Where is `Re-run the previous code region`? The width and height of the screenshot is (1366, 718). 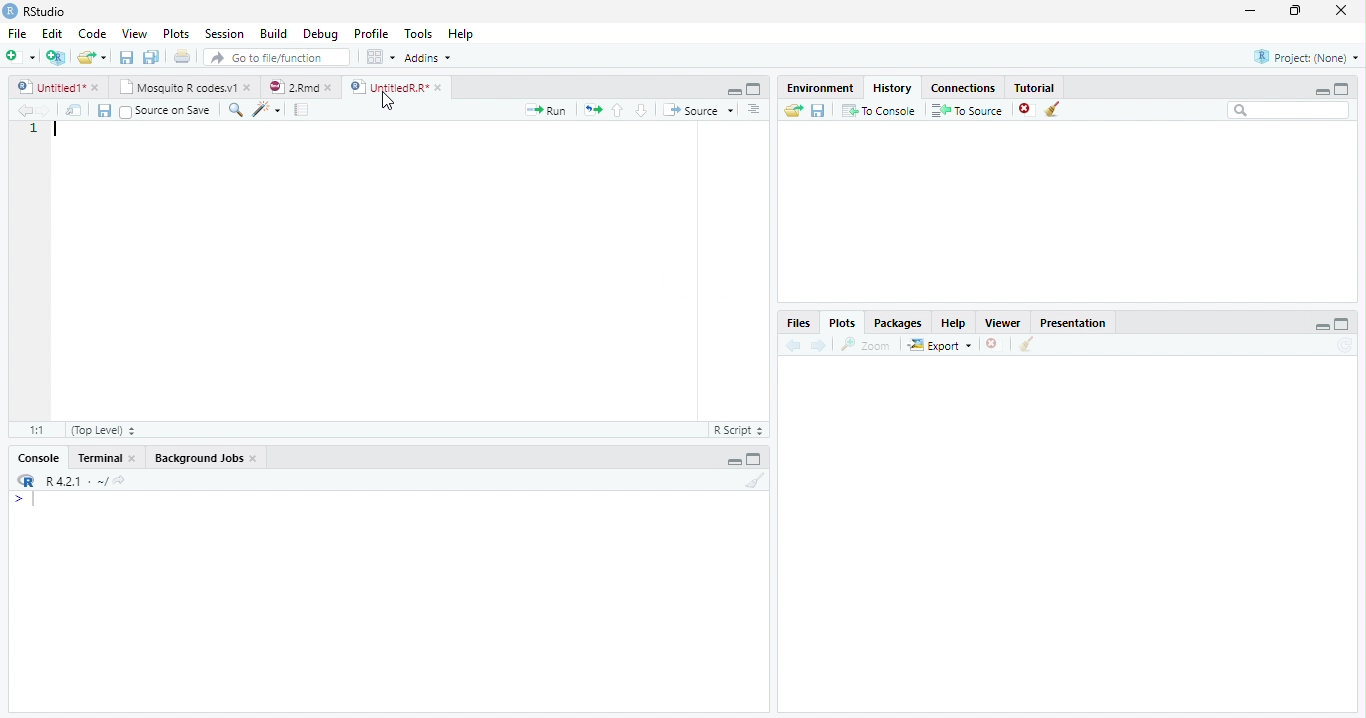 Re-run the previous code region is located at coordinates (592, 110).